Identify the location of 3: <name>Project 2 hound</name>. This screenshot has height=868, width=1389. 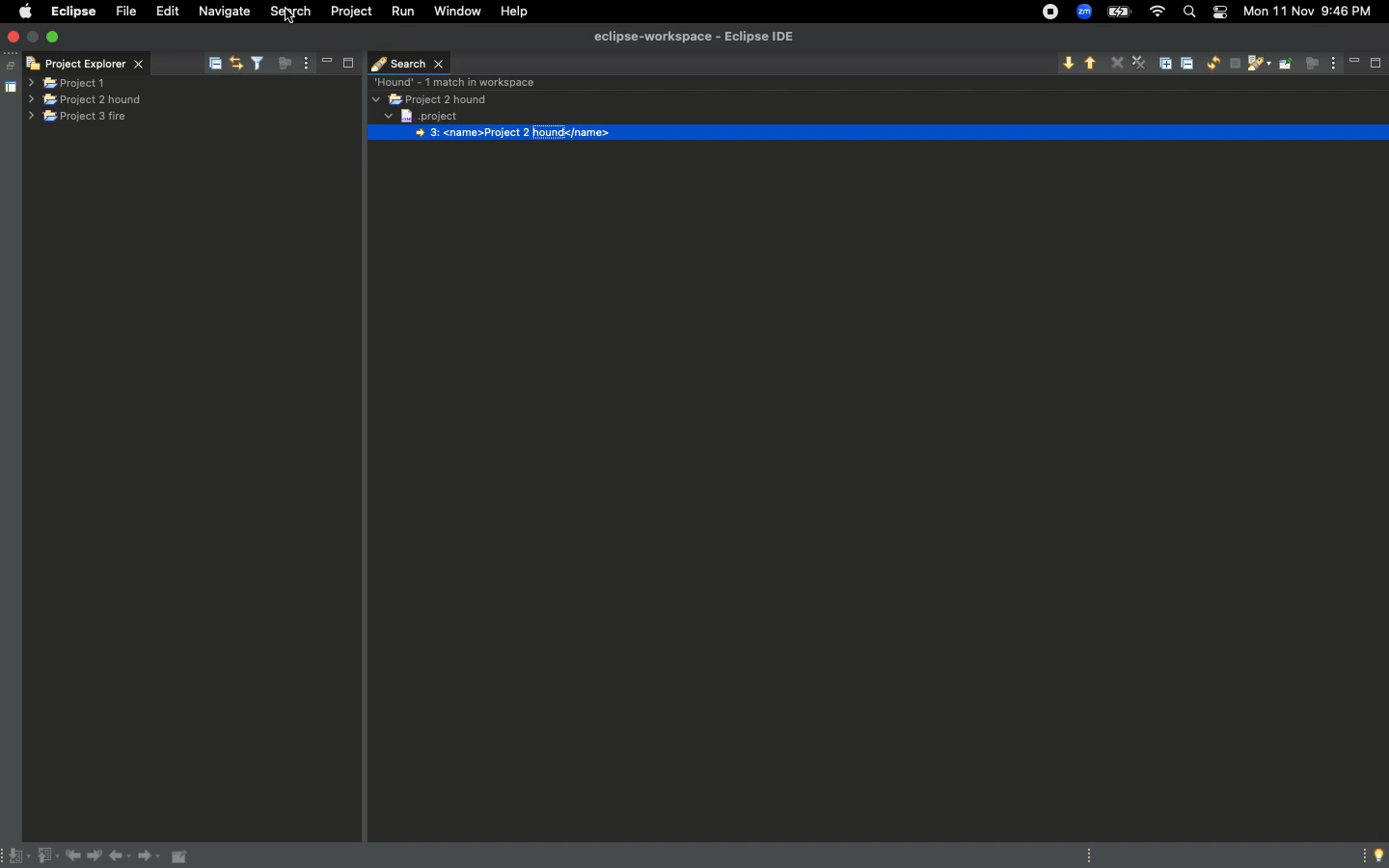
(513, 133).